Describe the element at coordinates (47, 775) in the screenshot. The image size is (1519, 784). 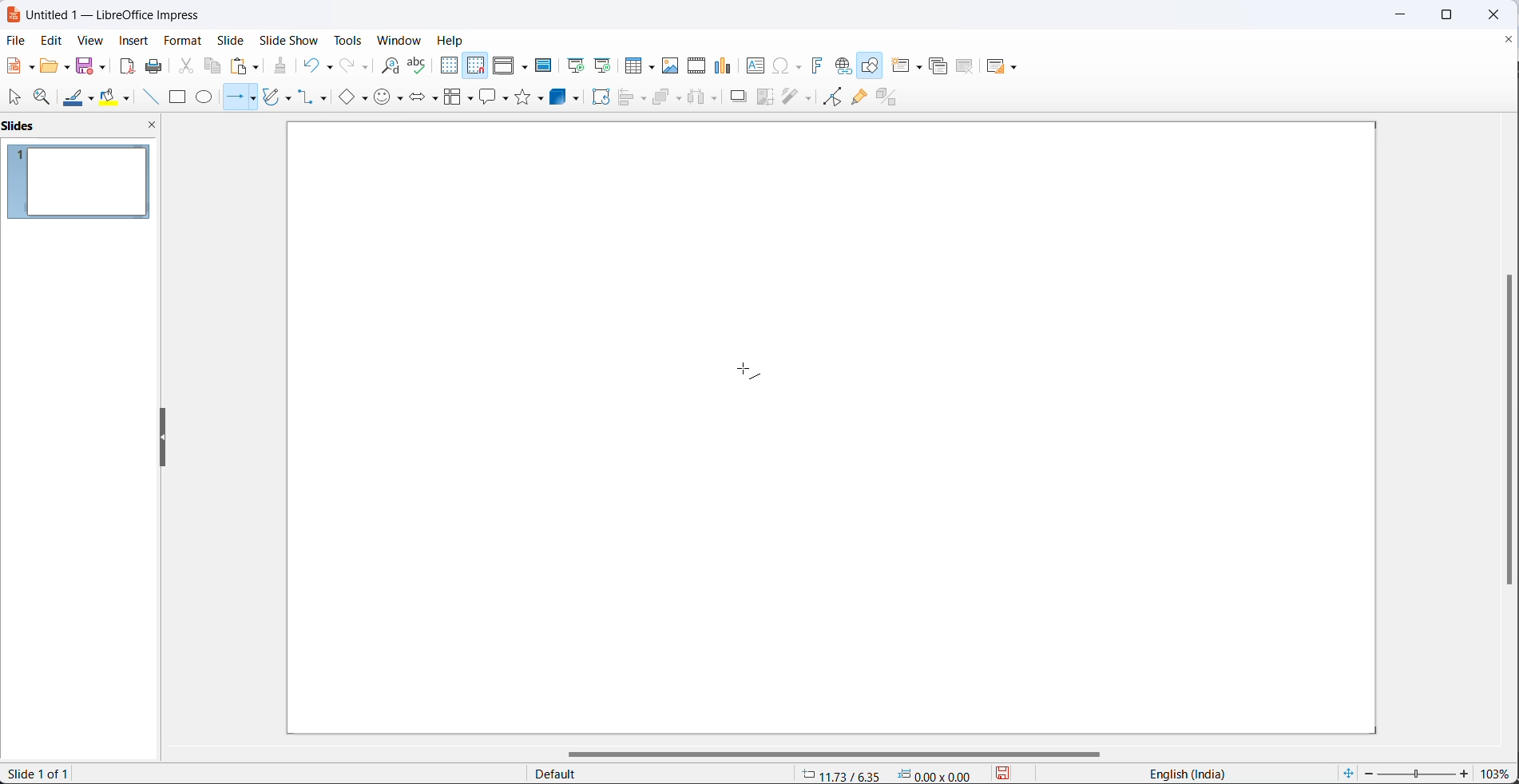
I see `slide 1 of 1` at that location.